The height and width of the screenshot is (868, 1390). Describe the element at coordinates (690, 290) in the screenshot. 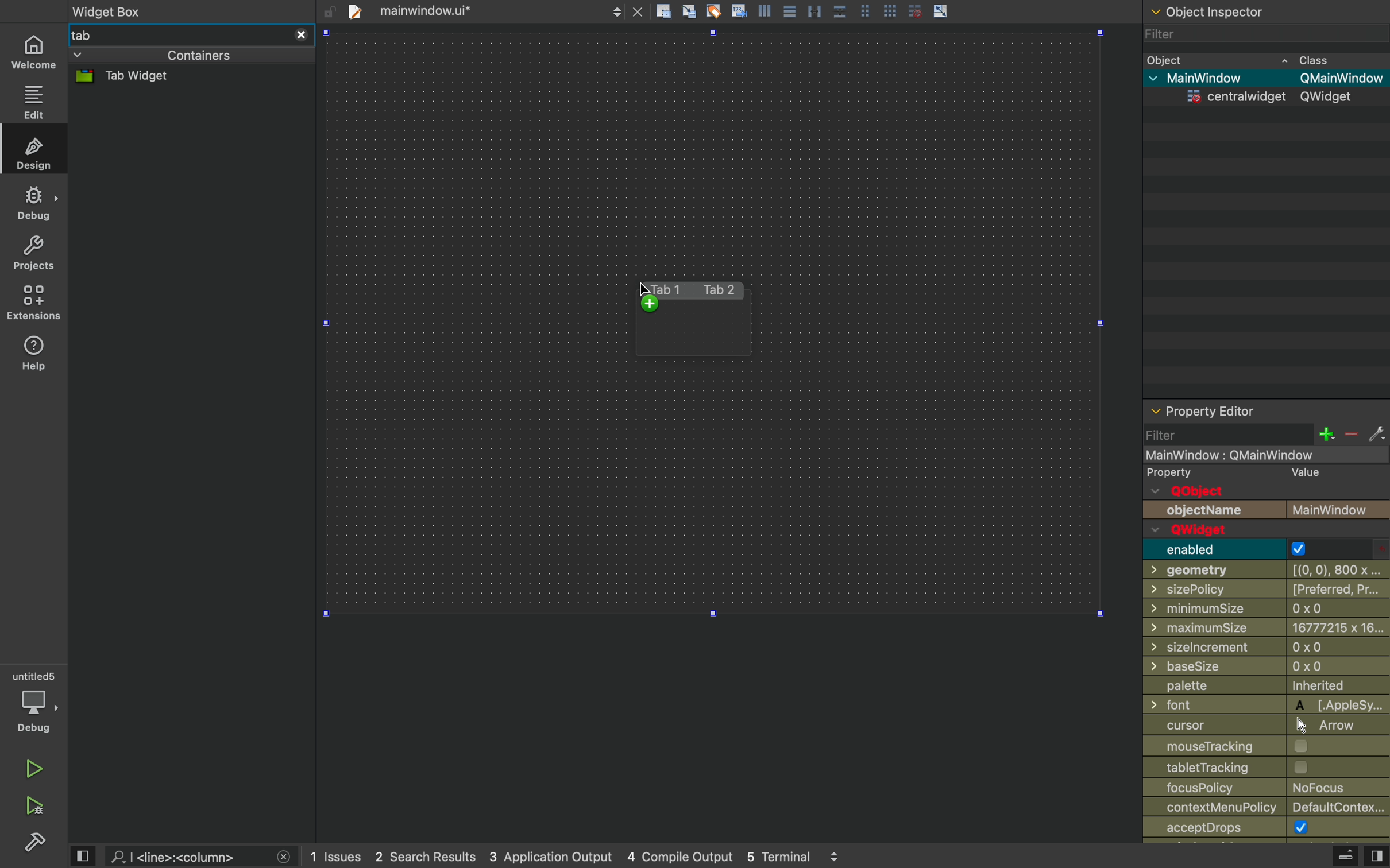

I see `tab1 tab2` at that location.